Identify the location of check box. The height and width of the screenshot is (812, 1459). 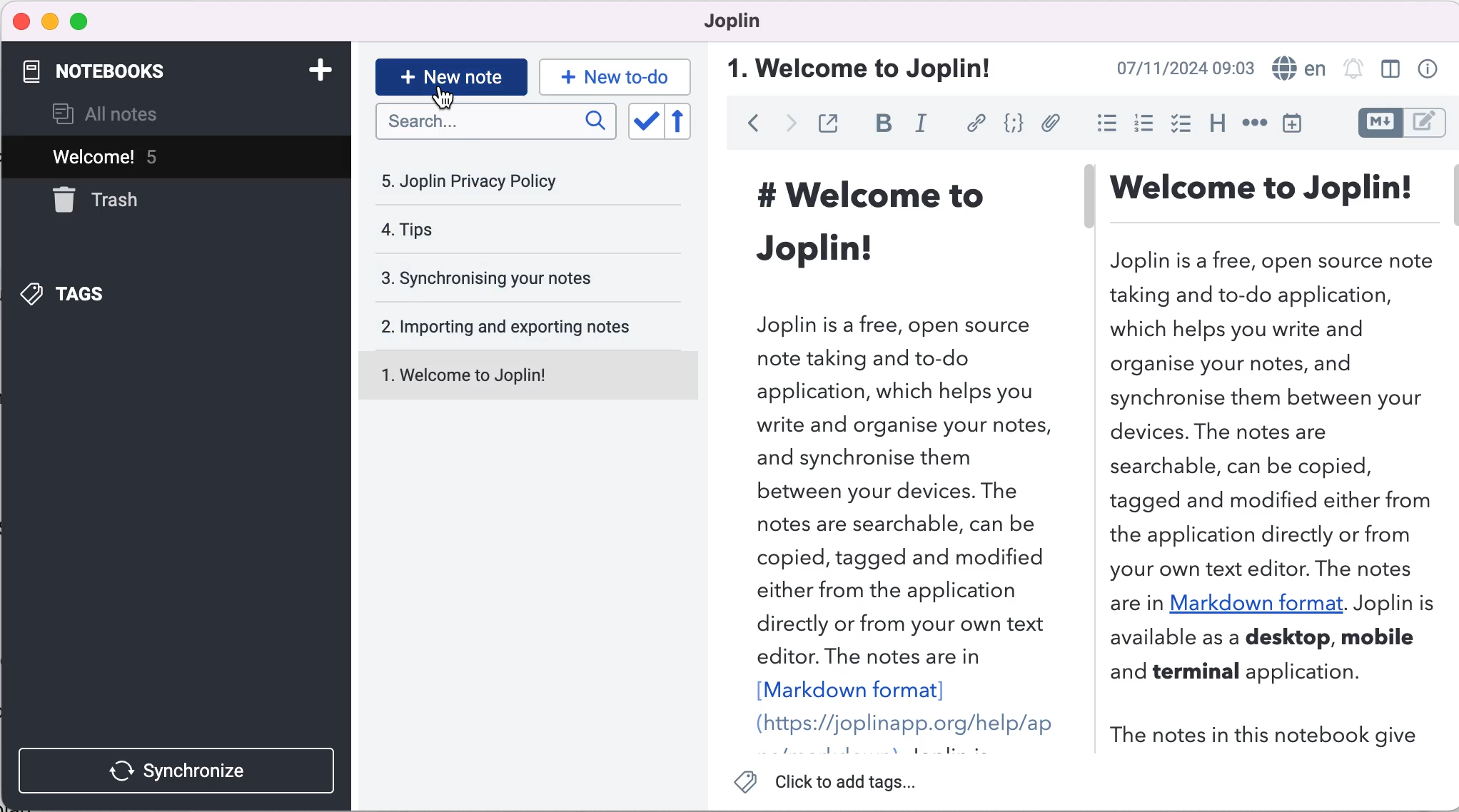
(1176, 123).